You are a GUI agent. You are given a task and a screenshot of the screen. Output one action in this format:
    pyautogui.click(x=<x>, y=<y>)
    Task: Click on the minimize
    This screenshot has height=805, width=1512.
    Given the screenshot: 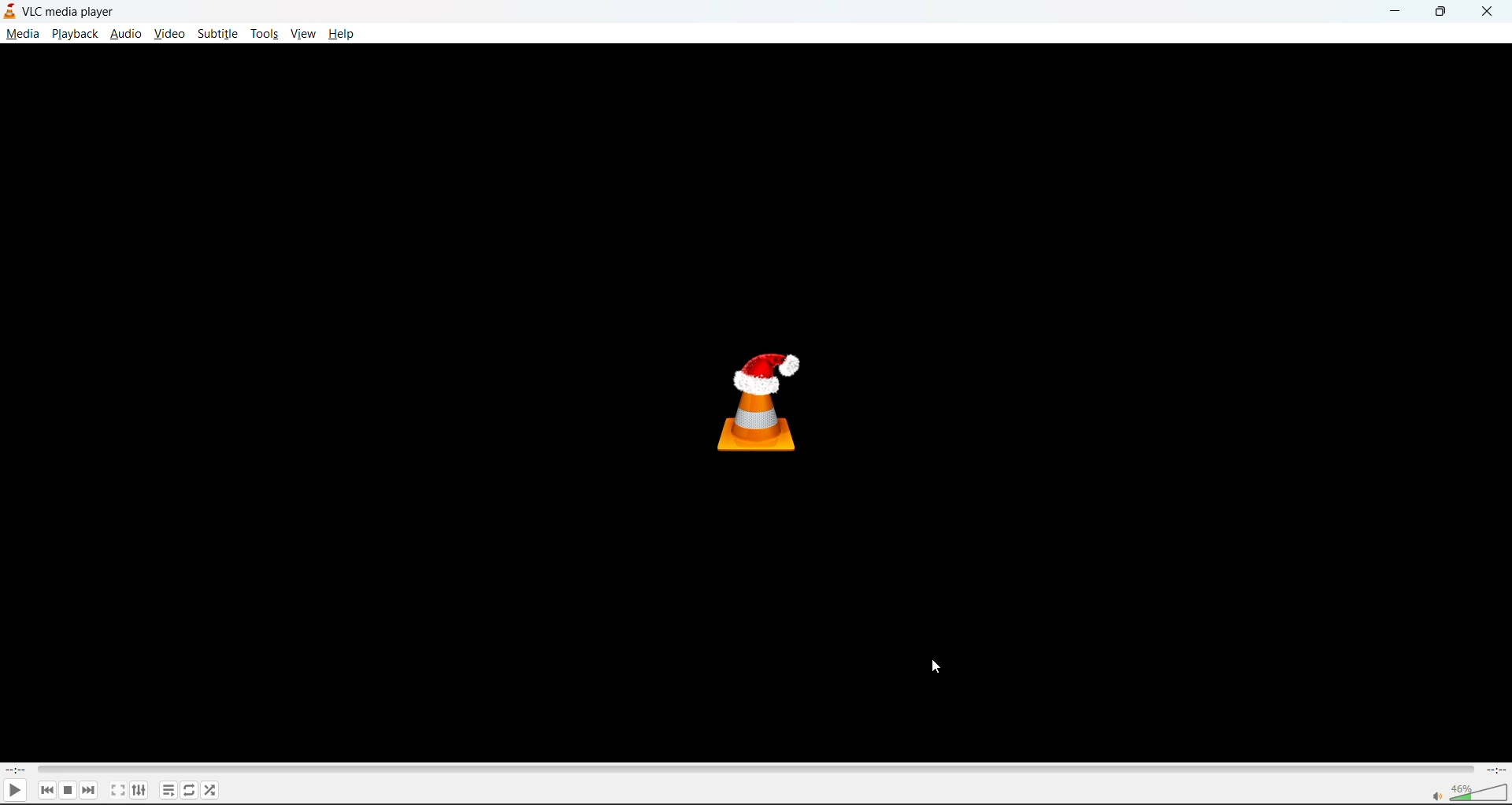 What is the action you would take?
    pyautogui.click(x=1393, y=12)
    